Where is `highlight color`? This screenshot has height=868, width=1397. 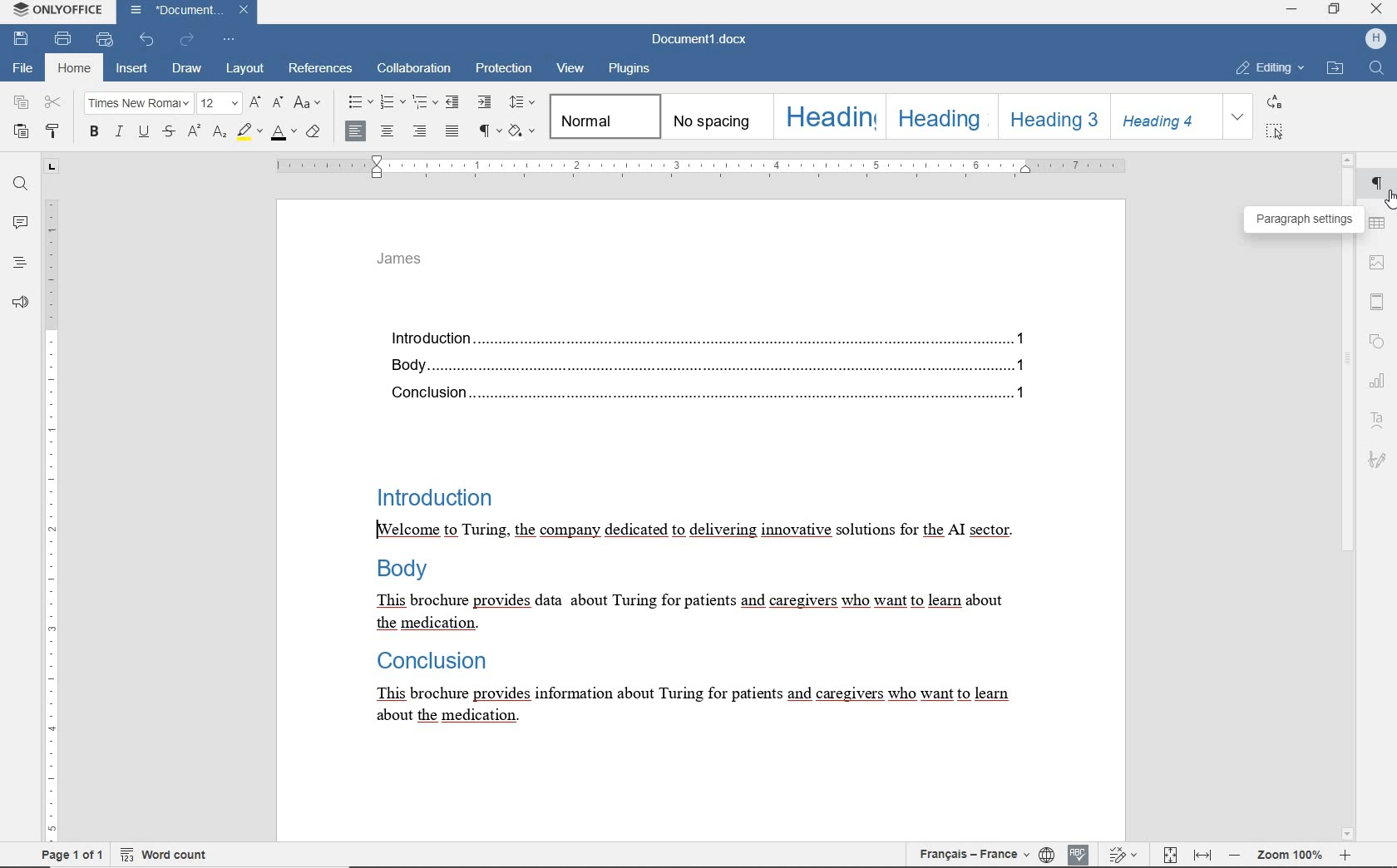 highlight color is located at coordinates (250, 133).